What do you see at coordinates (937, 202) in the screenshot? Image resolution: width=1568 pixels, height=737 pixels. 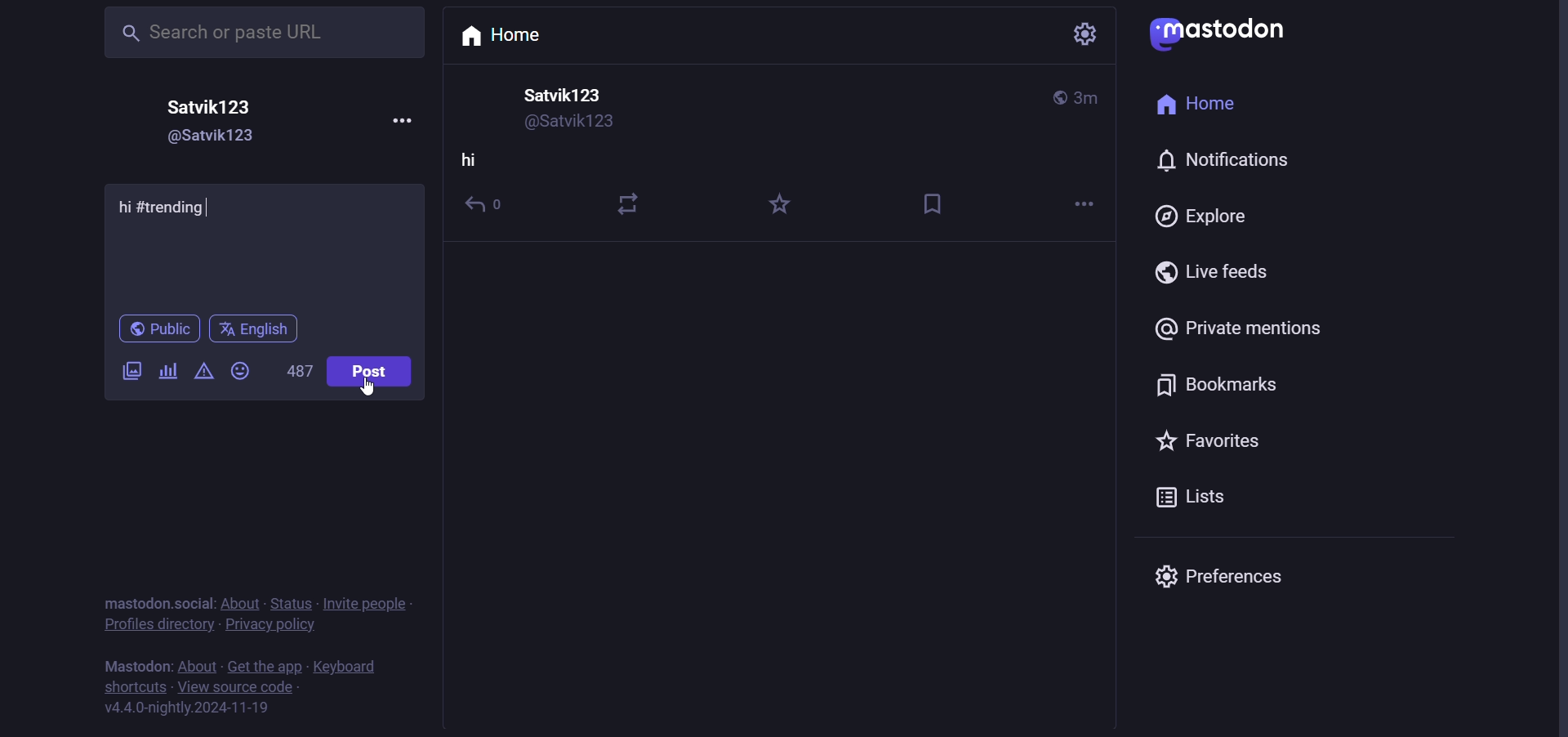 I see `bookmark` at bounding box center [937, 202].